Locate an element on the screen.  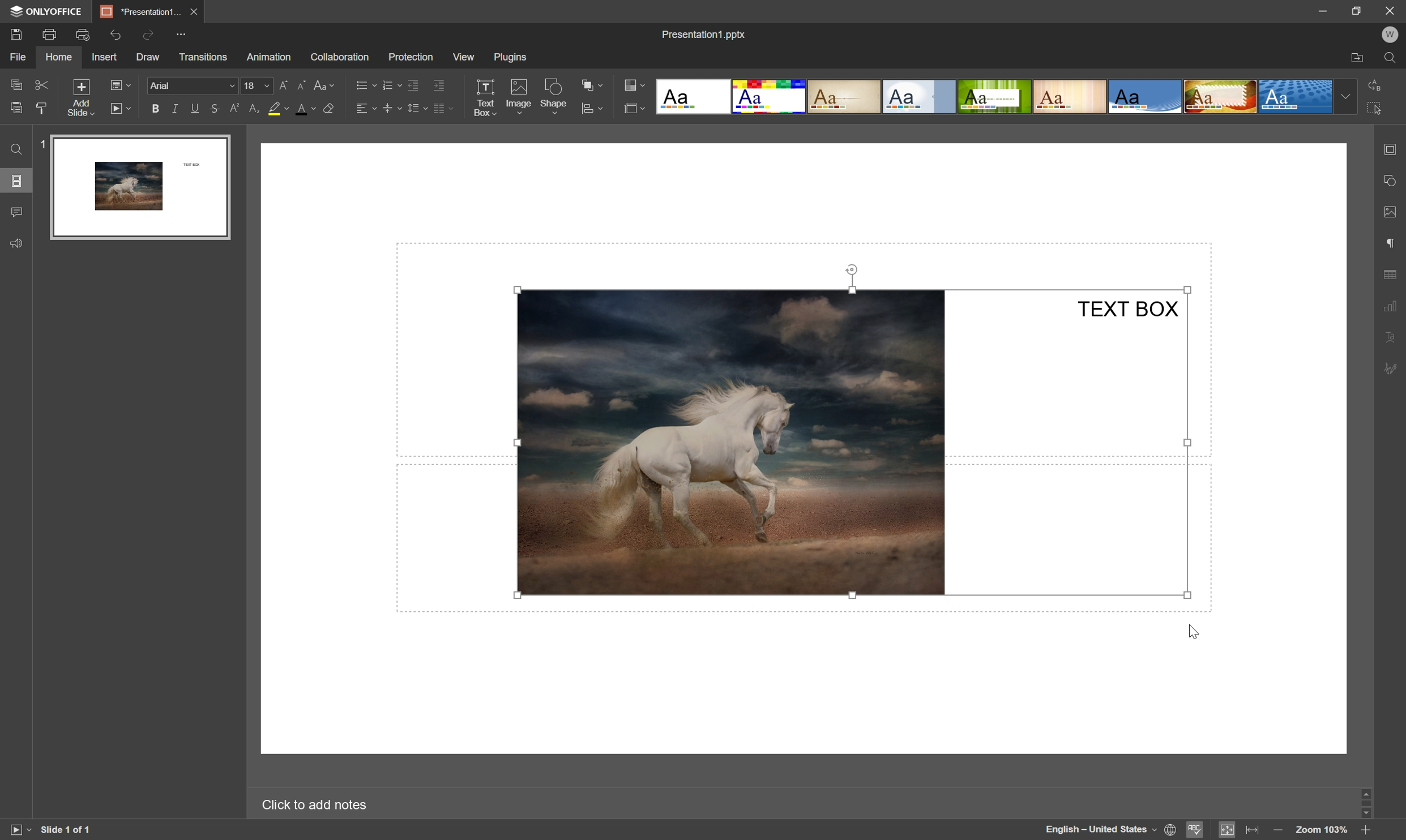
customize quick access toolbar is located at coordinates (188, 33).